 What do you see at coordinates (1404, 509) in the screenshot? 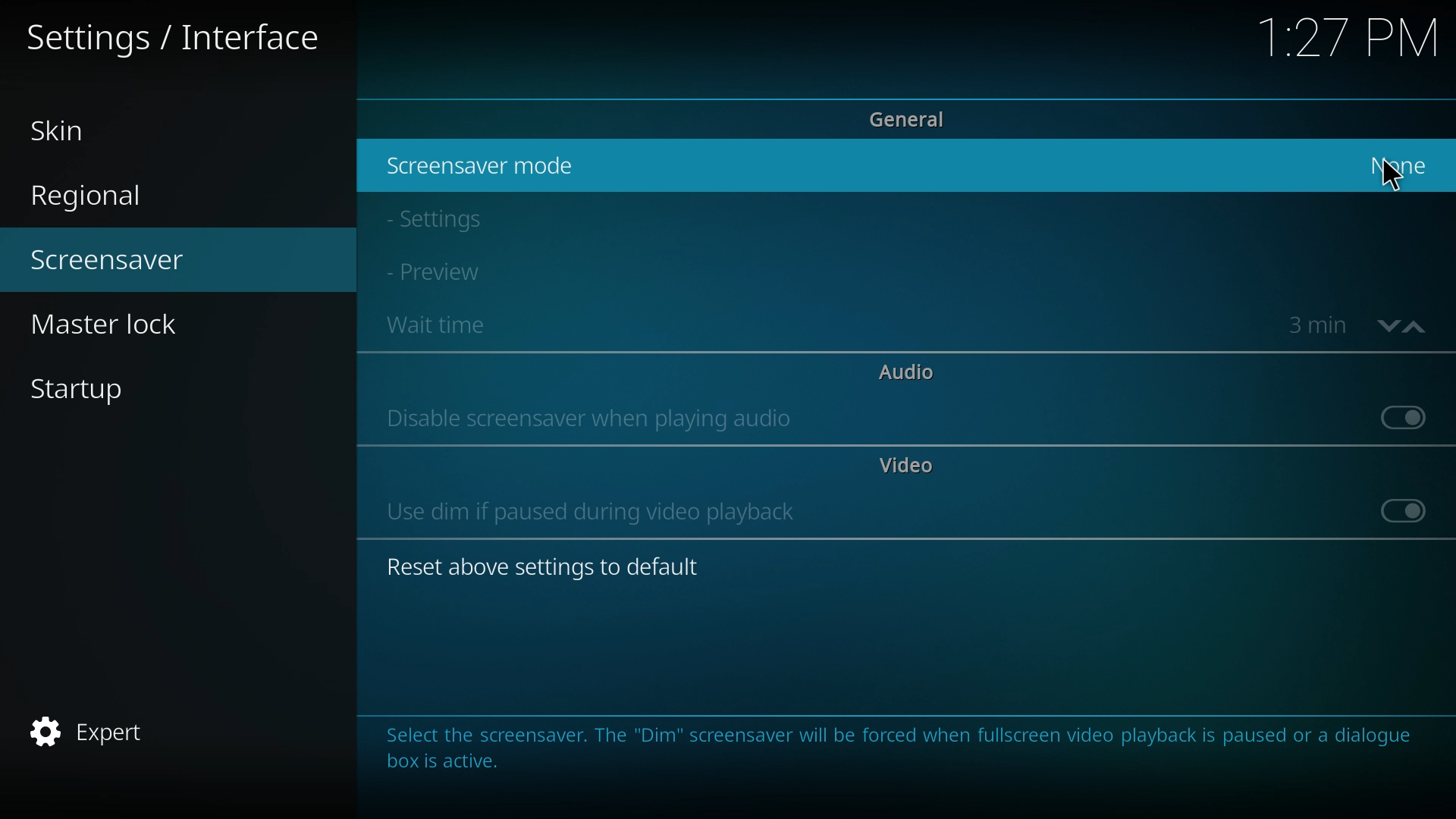
I see `off` at bounding box center [1404, 509].